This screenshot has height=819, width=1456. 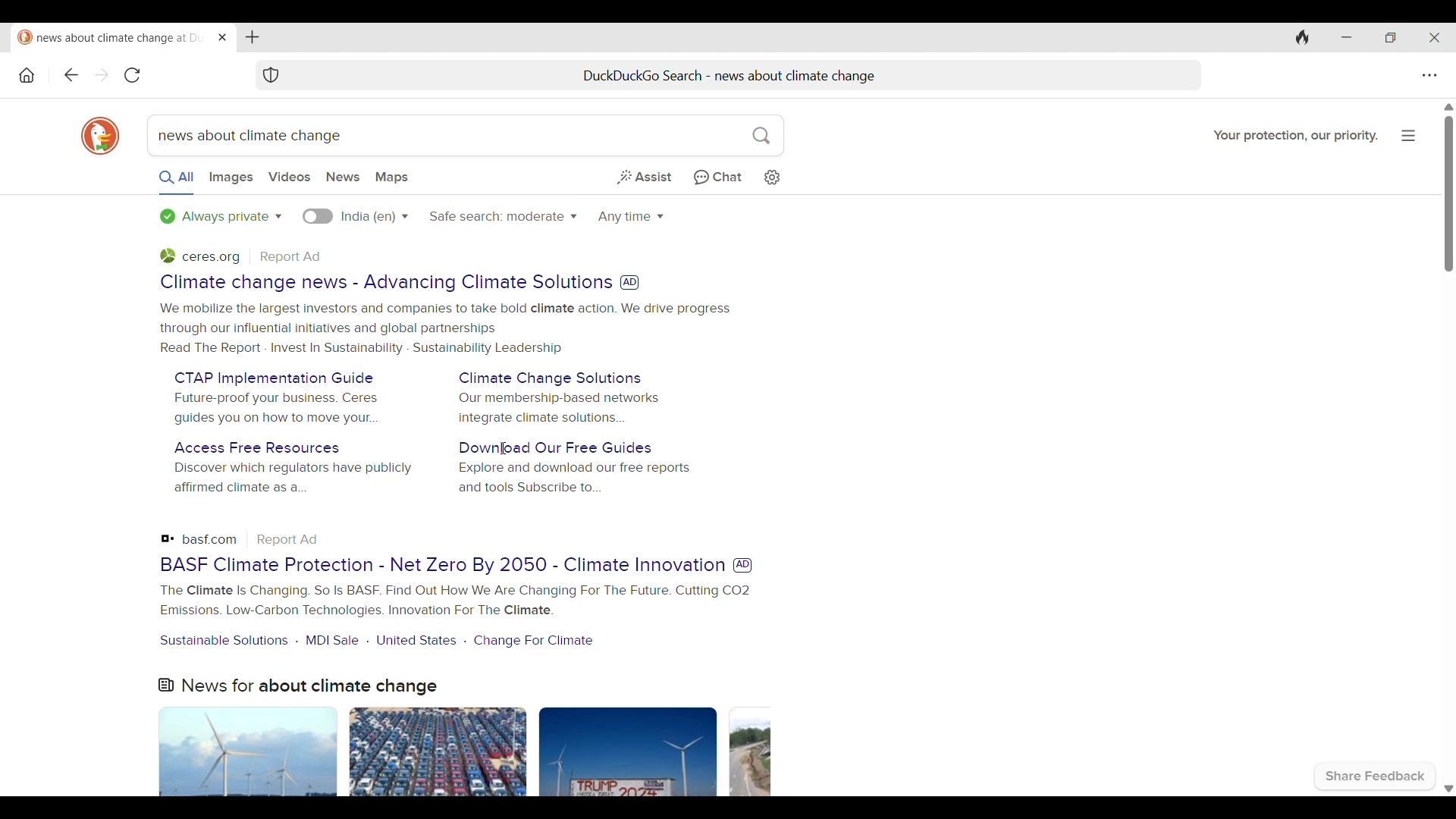 I want to click on Add new tab, so click(x=253, y=37).